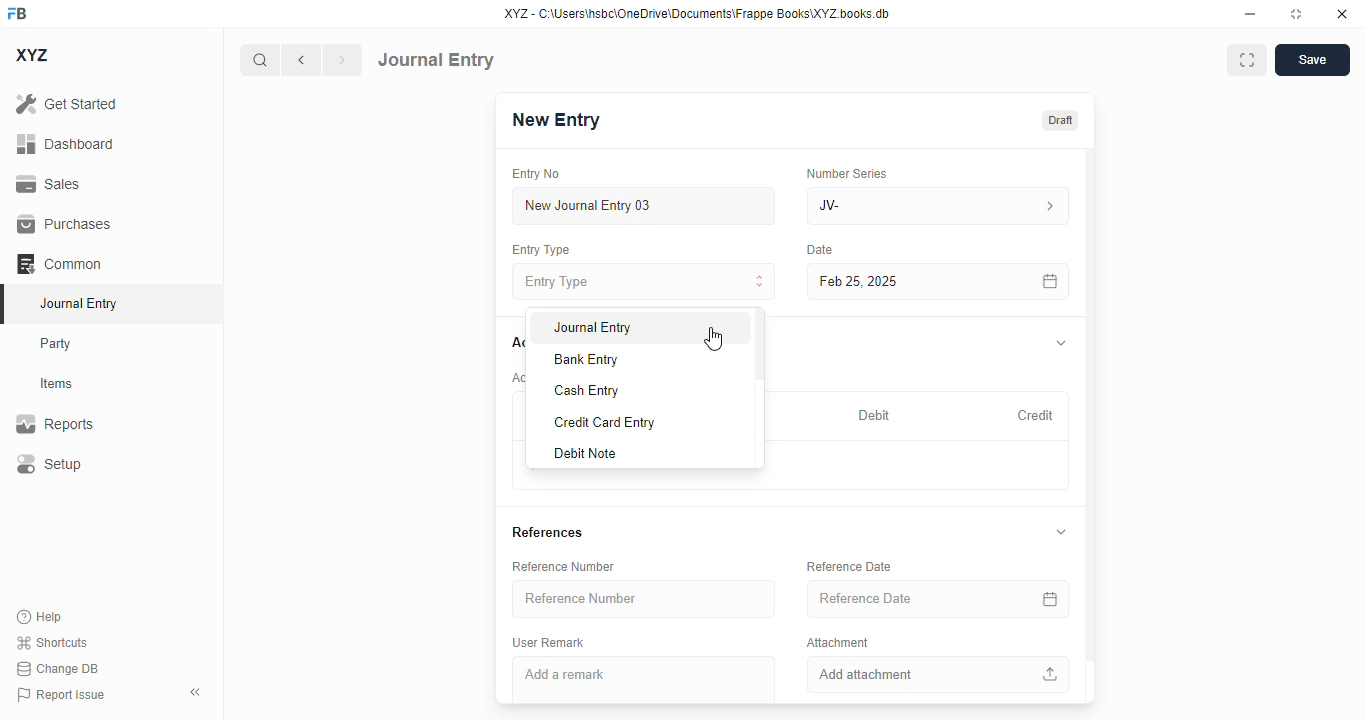  I want to click on number series, so click(846, 173).